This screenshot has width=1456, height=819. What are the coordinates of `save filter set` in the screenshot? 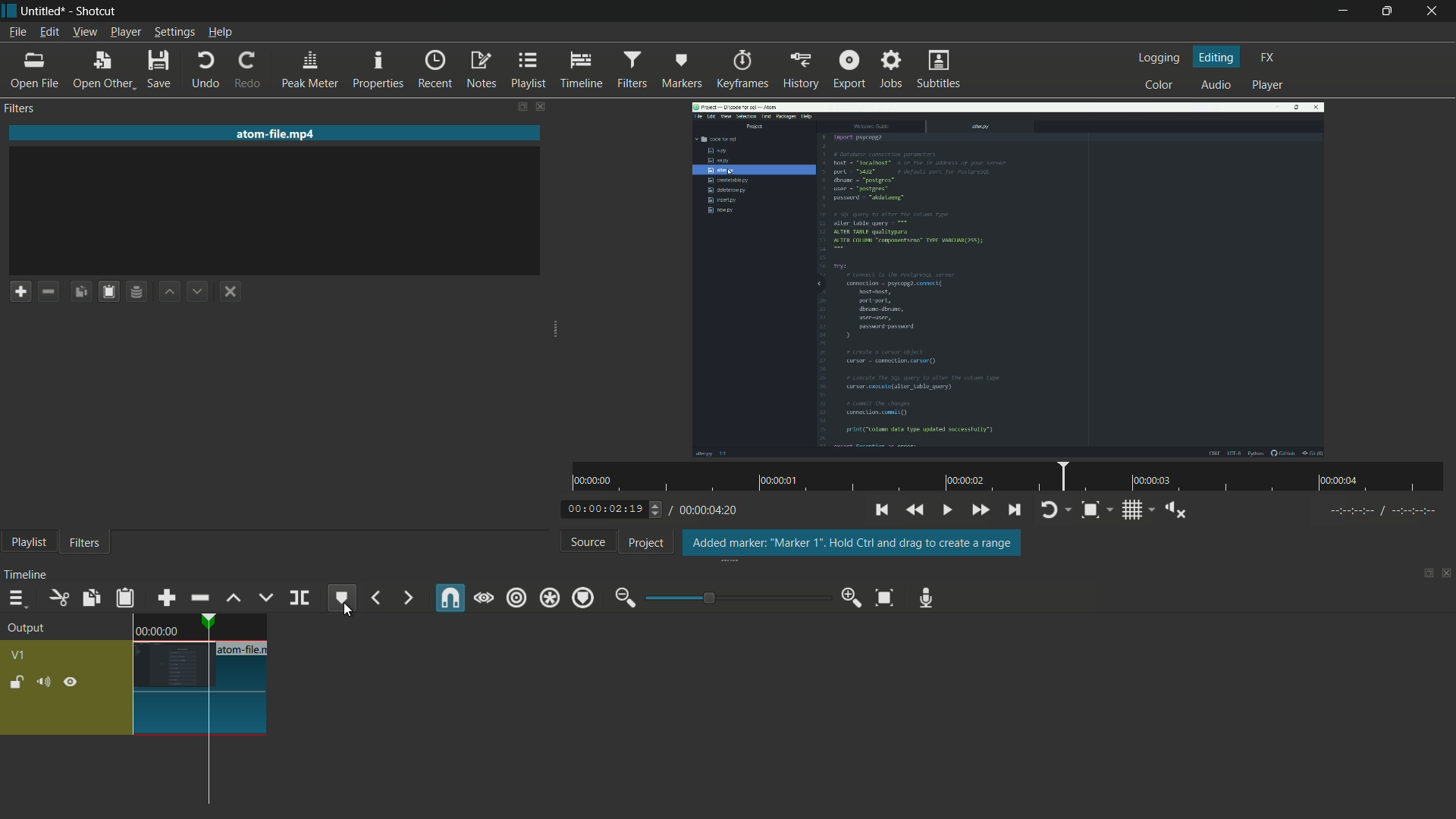 It's located at (136, 291).